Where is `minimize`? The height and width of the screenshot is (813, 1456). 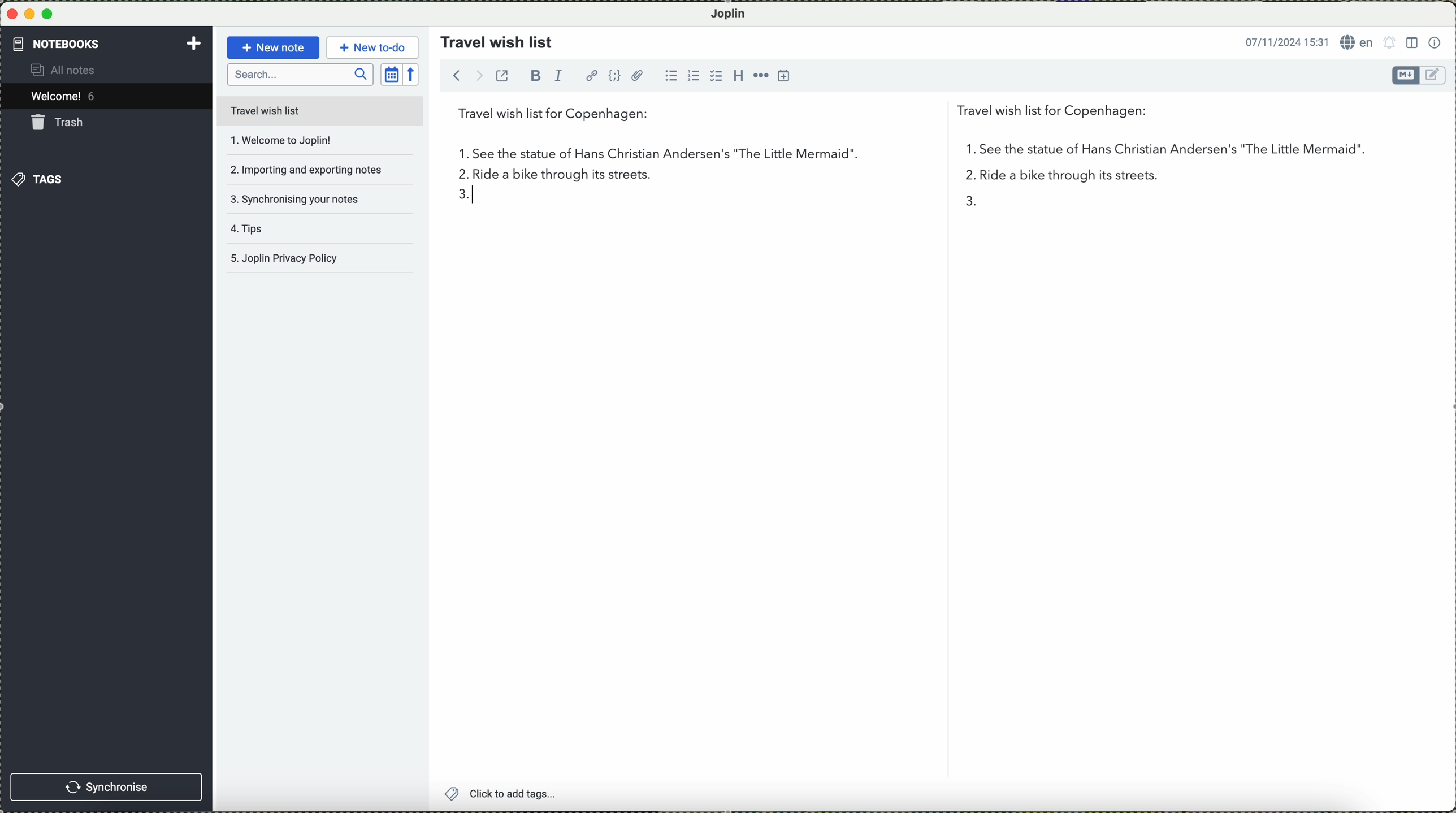 minimize is located at coordinates (31, 14).